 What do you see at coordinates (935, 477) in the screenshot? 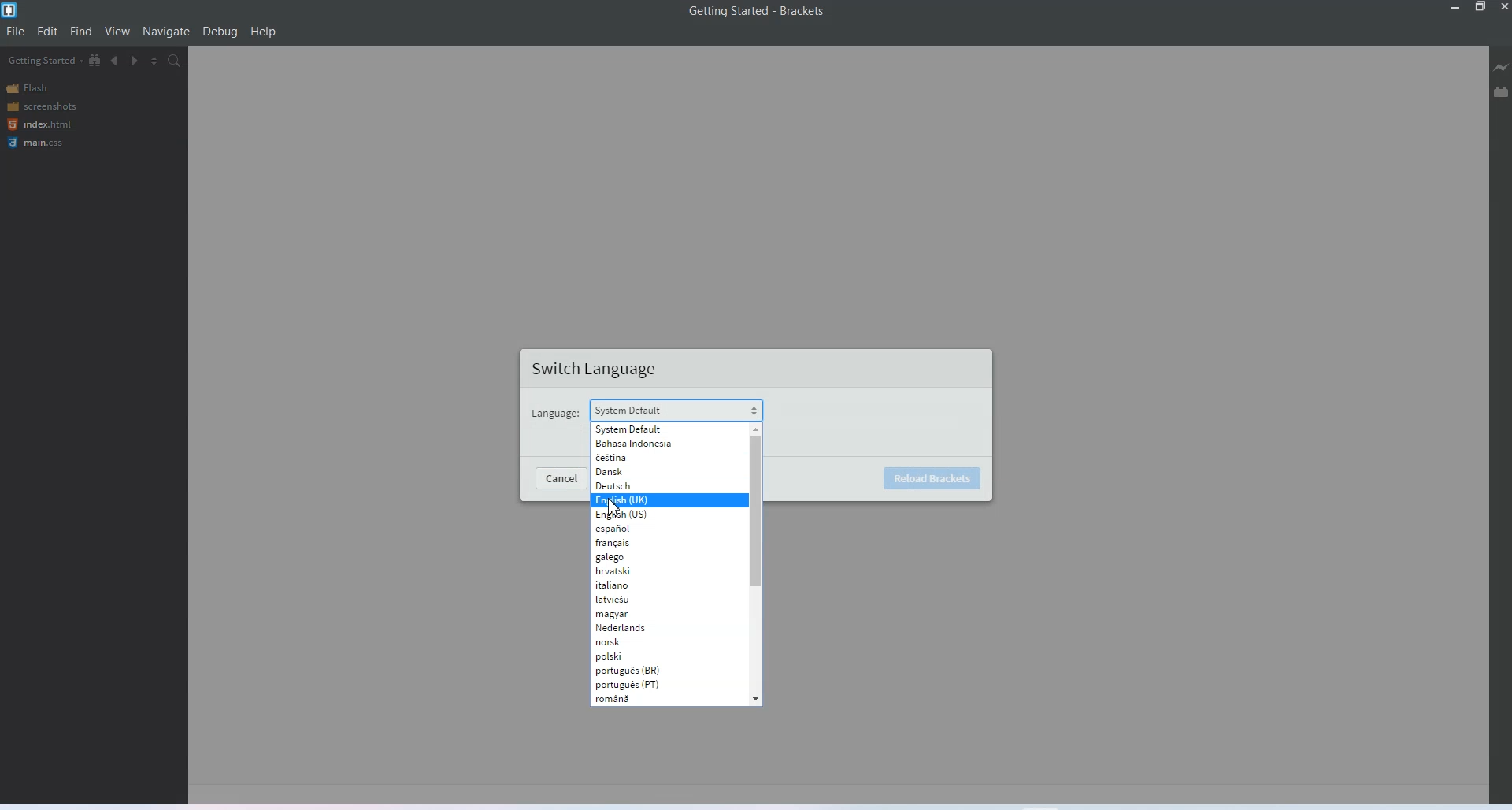
I see `reload brackets` at bounding box center [935, 477].